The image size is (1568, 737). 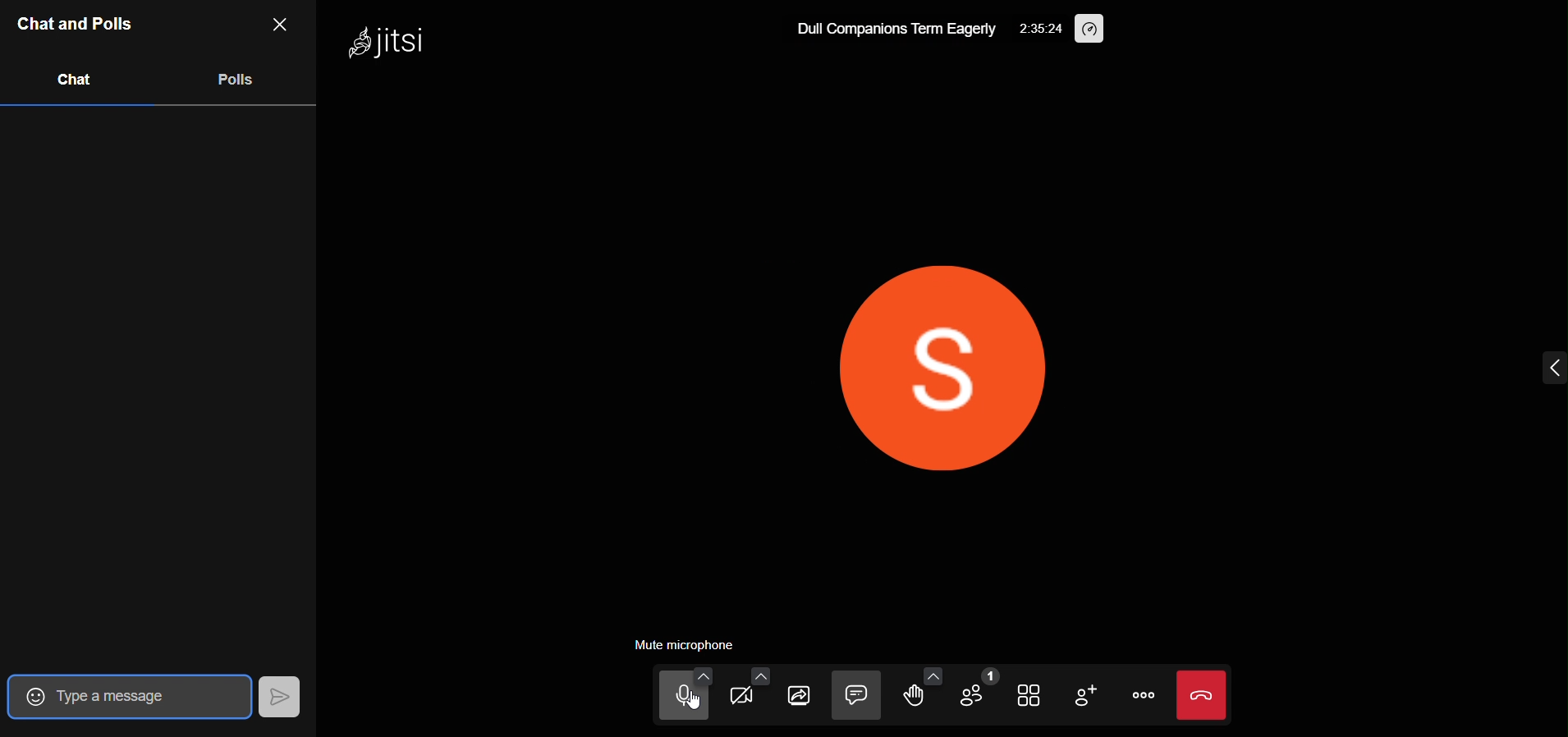 What do you see at coordinates (279, 696) in the screenshot?
I see `send` at bounding box center [279, 696].